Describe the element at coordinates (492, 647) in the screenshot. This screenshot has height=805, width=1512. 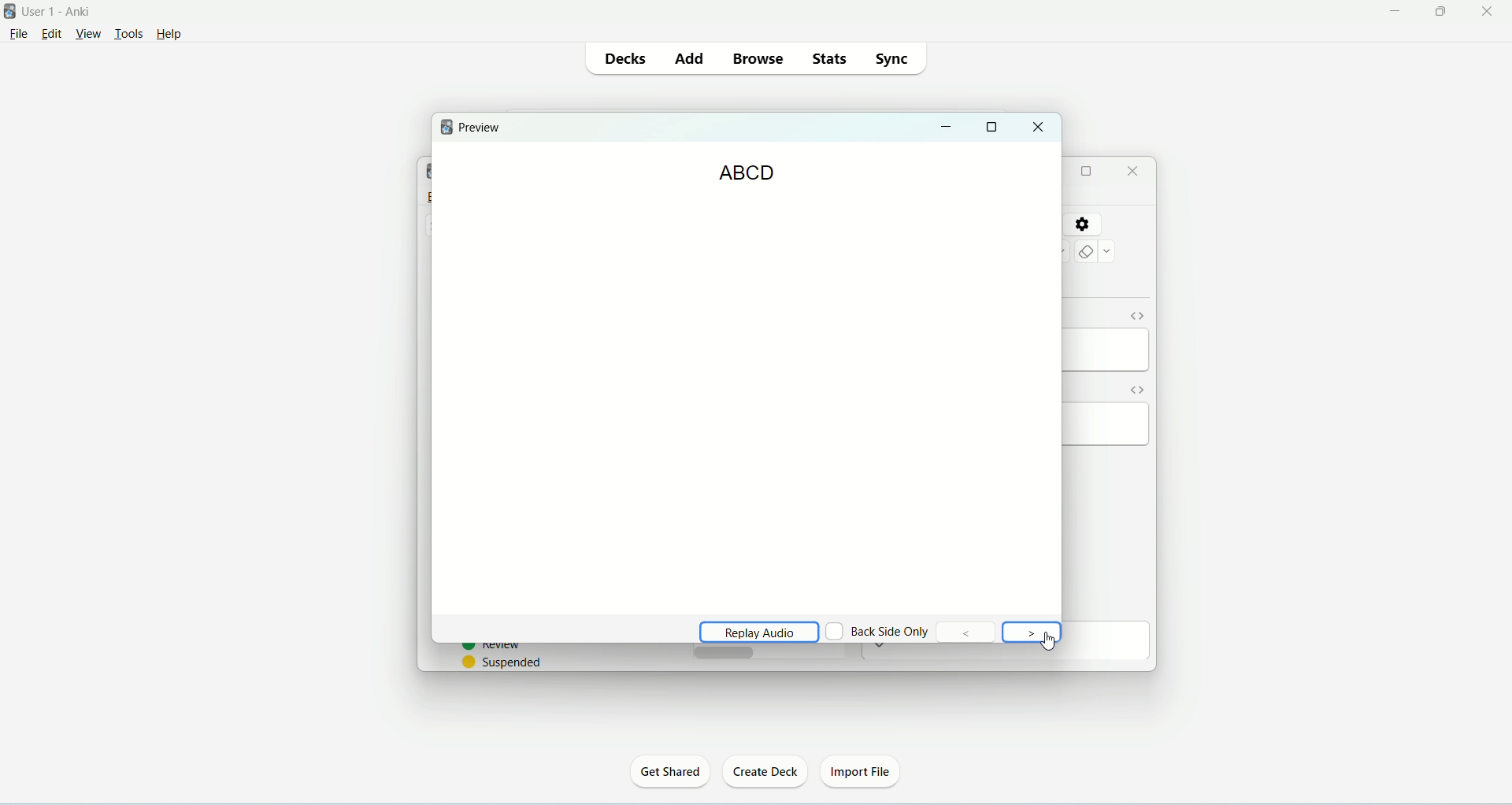
I see `review` at that location.